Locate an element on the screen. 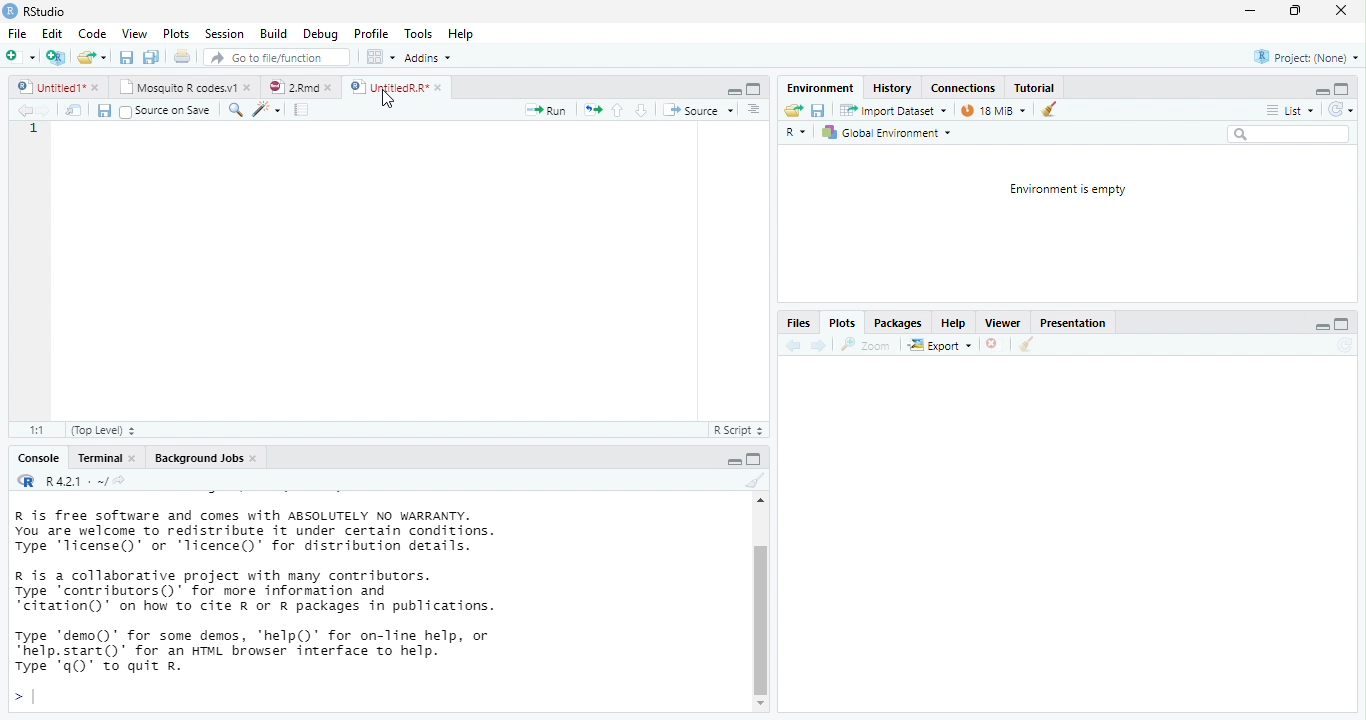 The image size is (1366, 720). open an existing file is located at coordinates (92, 58).